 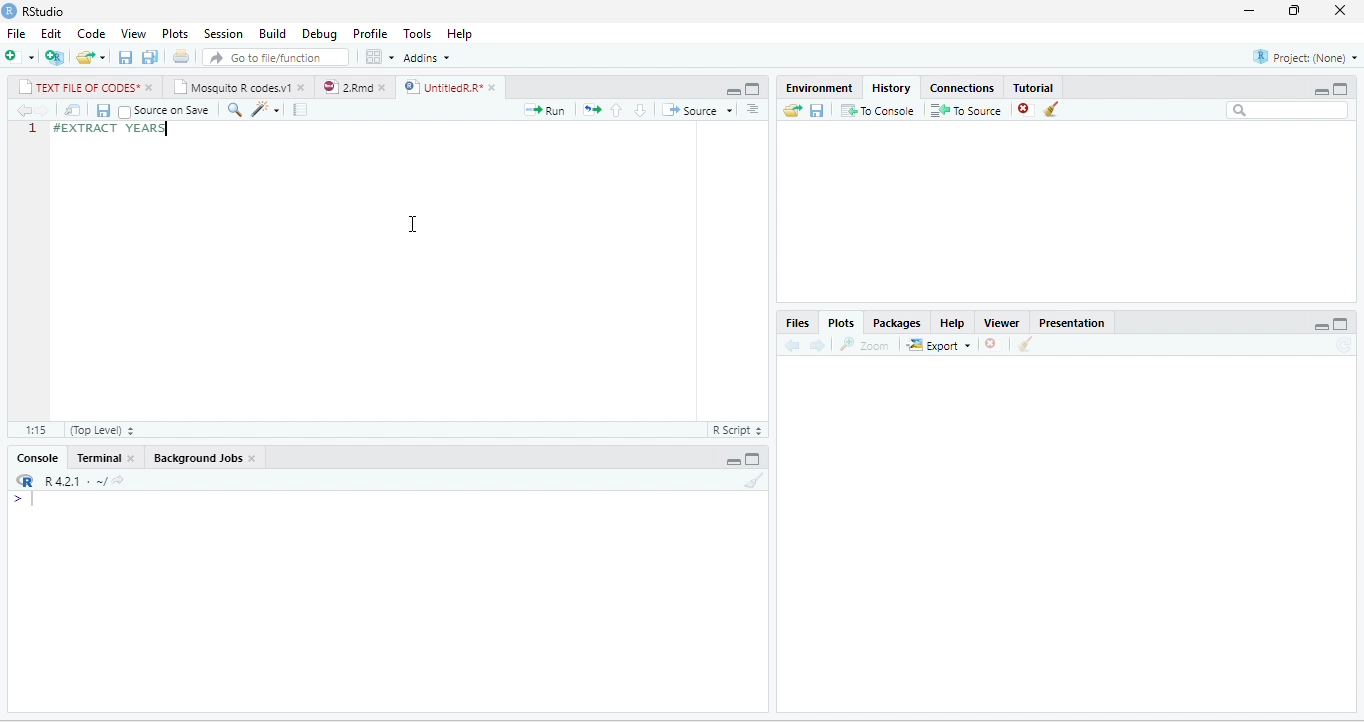 What do you see at coordinates (1072, 323) in the screenshot?
I see `Presentation` at bounding box center [1072, 323].